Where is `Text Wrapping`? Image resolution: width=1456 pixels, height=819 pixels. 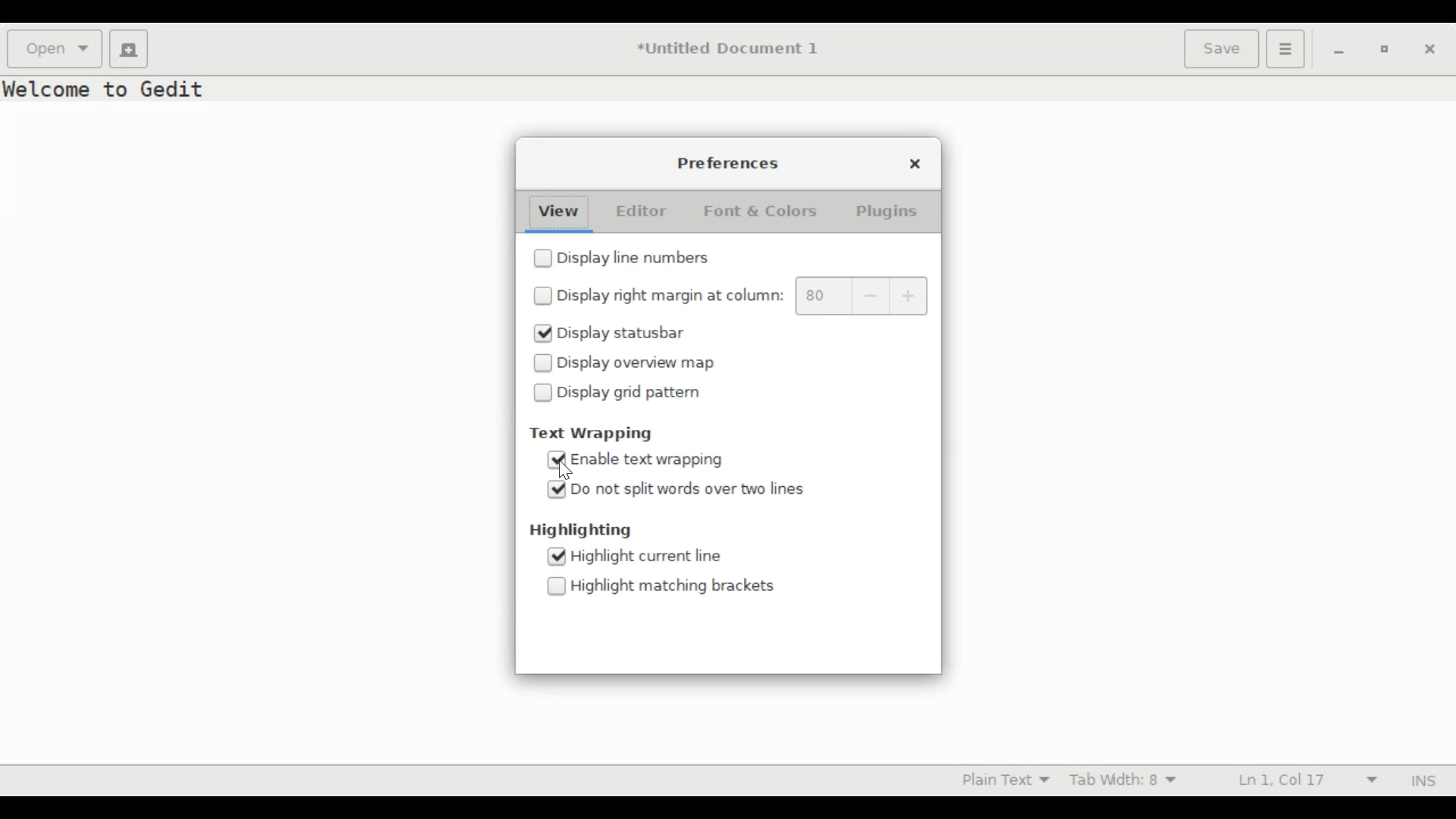 Text Wrapping is located at coordinates (598, 432).